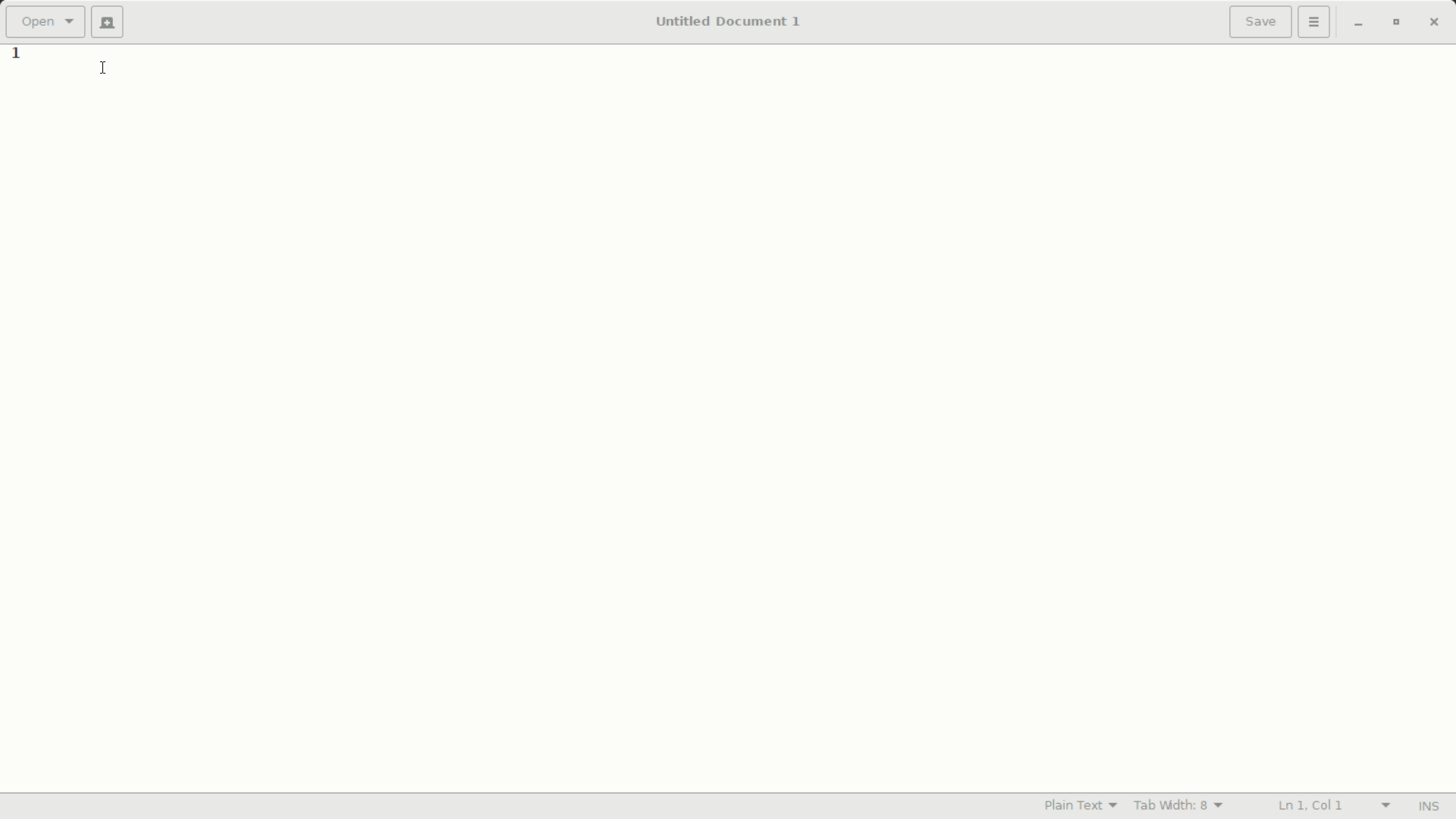  Describe the element at coordinates (108, 23) in the screenshot. I see `new document` at that location.